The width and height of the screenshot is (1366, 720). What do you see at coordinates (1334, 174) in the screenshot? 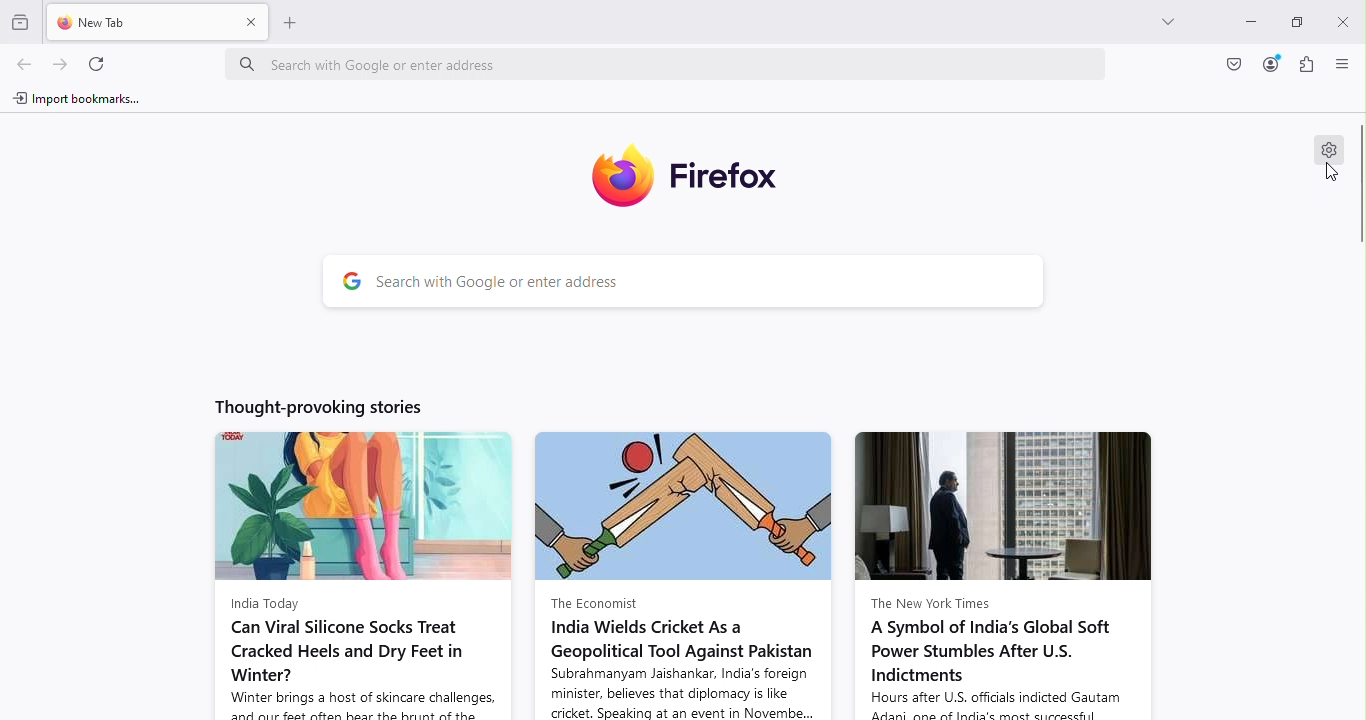
I see `Cursor` at bounding box center [1334, 174].